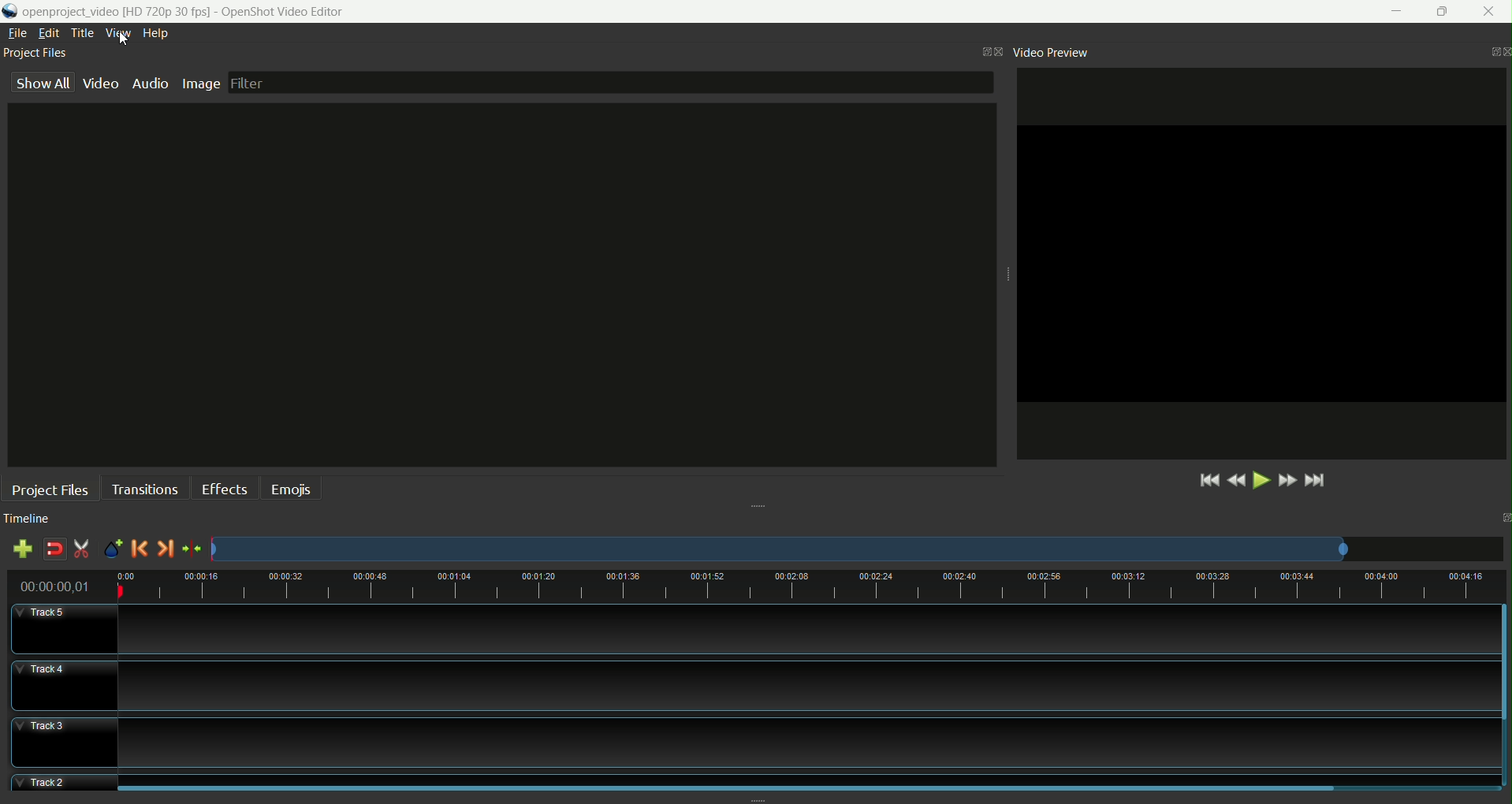 The width and height of the screenshot is (1512, 804). I want to click on cursor, so click(125, 42).